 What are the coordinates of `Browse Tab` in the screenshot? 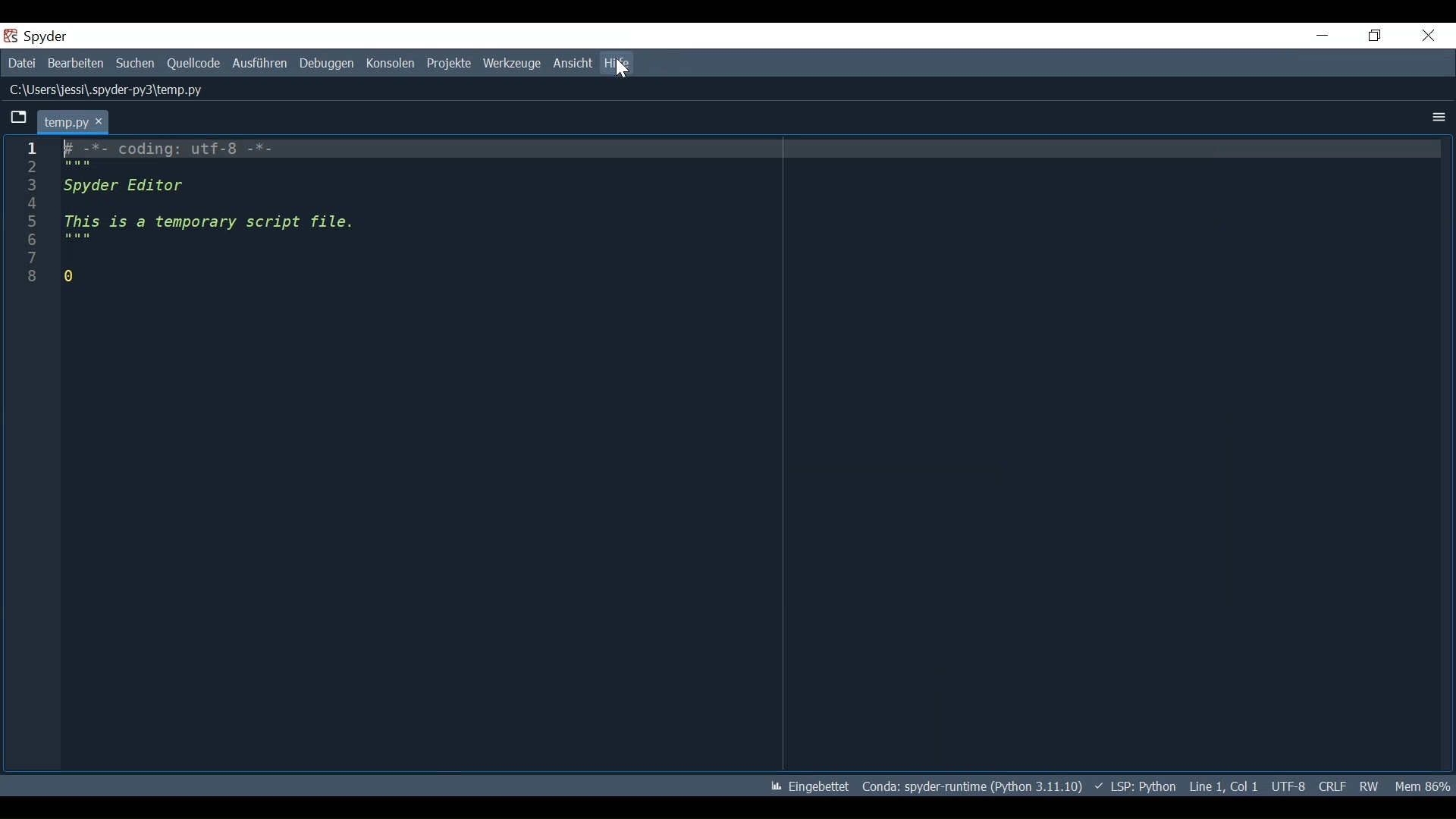 It's located at (17, 119).